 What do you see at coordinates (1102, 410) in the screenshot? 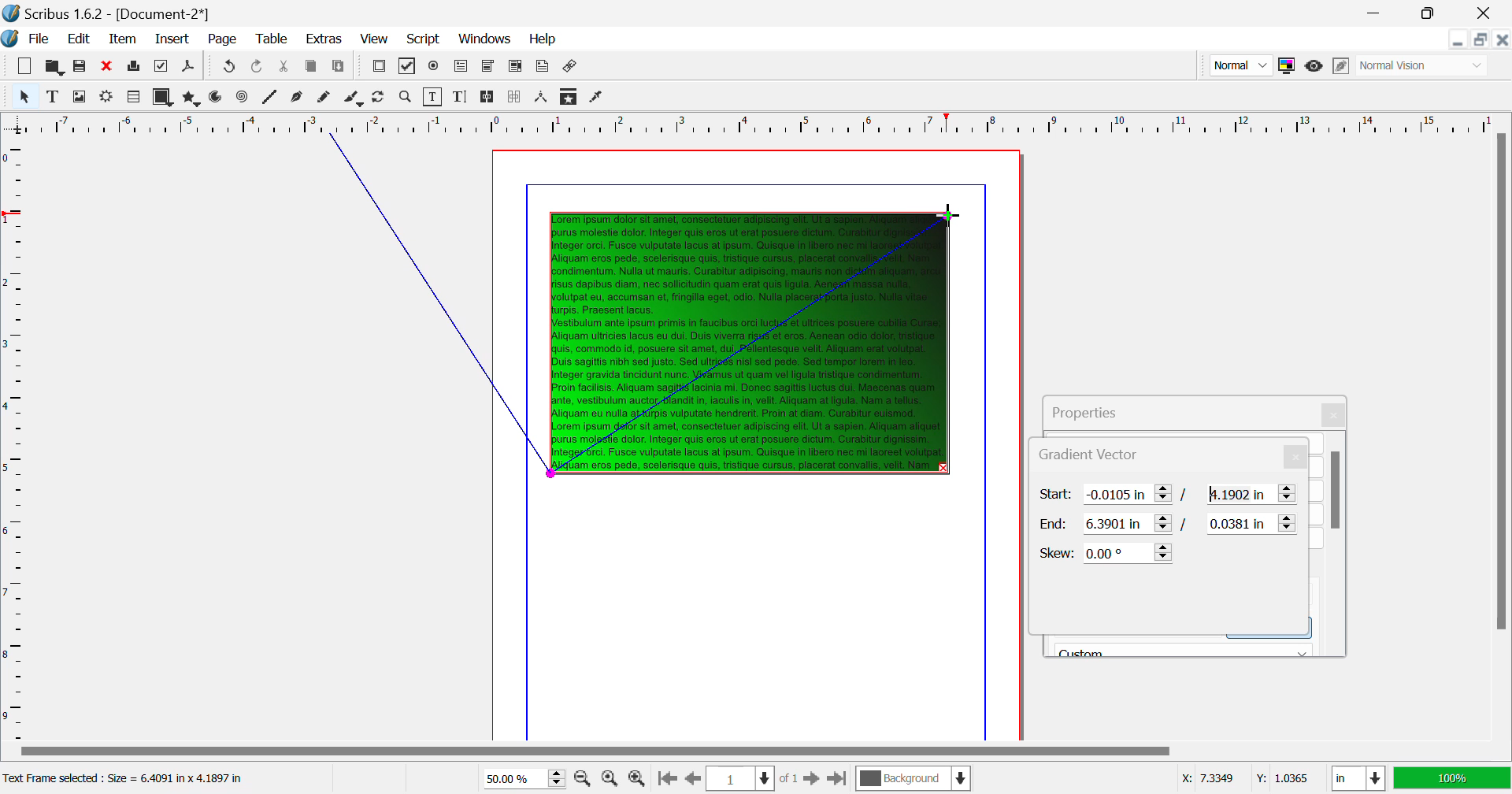
I see `Properties` at bounding box center [1102, 410].